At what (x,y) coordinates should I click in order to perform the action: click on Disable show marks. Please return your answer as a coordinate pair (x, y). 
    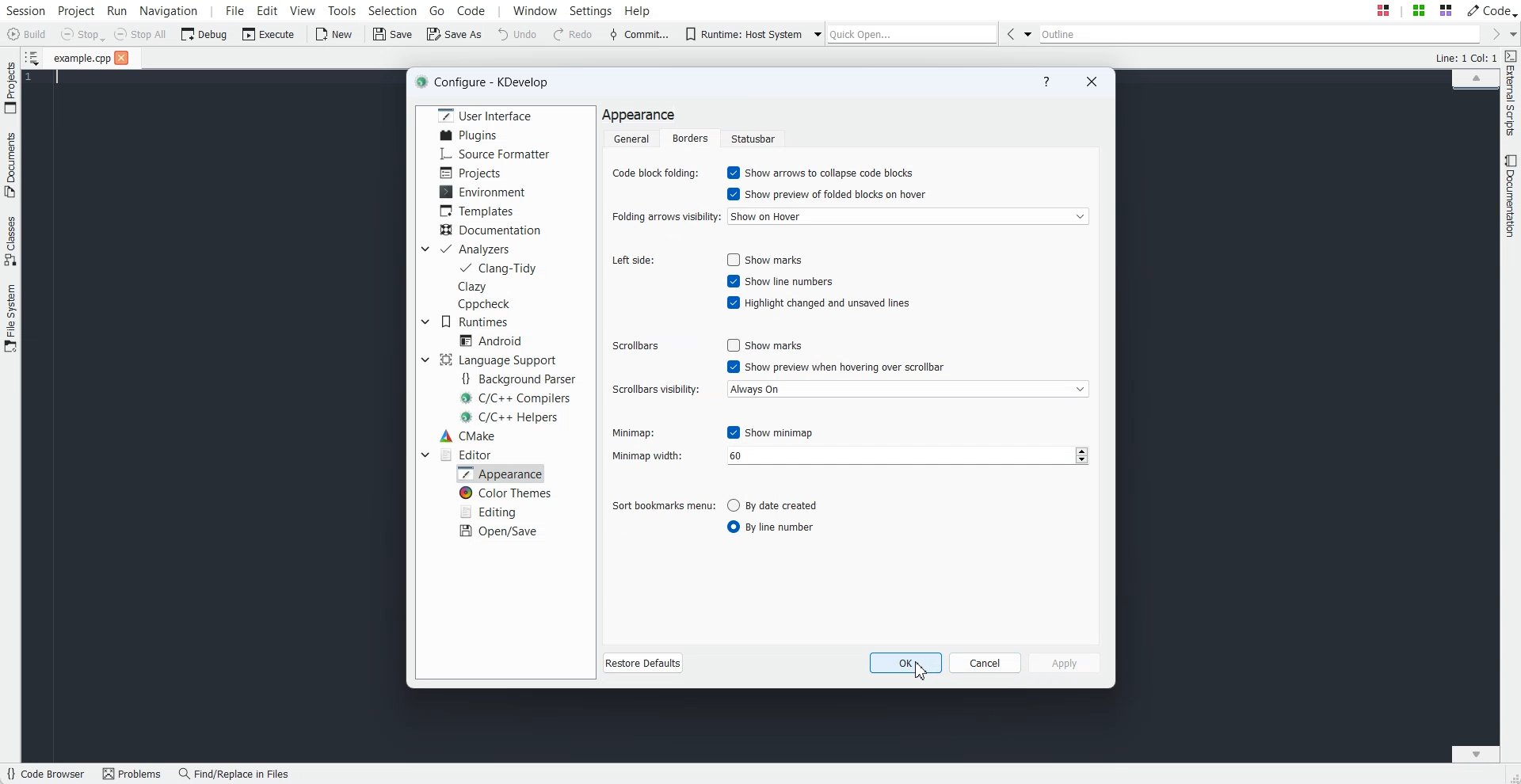
    Looking at the image, I should click on (770, 346).